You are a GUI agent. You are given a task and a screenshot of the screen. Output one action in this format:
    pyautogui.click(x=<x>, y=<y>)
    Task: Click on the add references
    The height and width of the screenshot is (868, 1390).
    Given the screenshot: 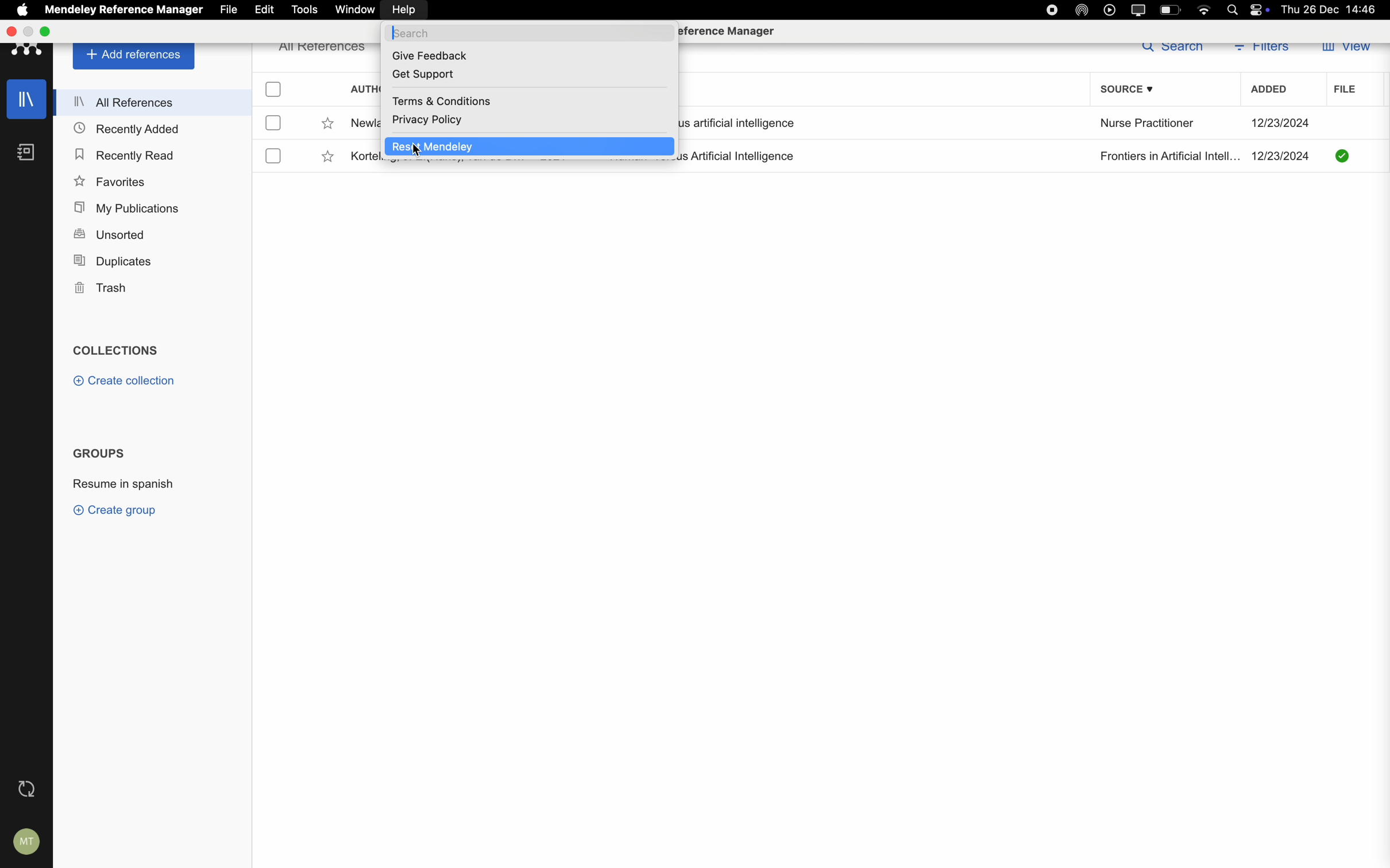 What is the action you would take?
    pyautogui.click(x=134, y=57)
    